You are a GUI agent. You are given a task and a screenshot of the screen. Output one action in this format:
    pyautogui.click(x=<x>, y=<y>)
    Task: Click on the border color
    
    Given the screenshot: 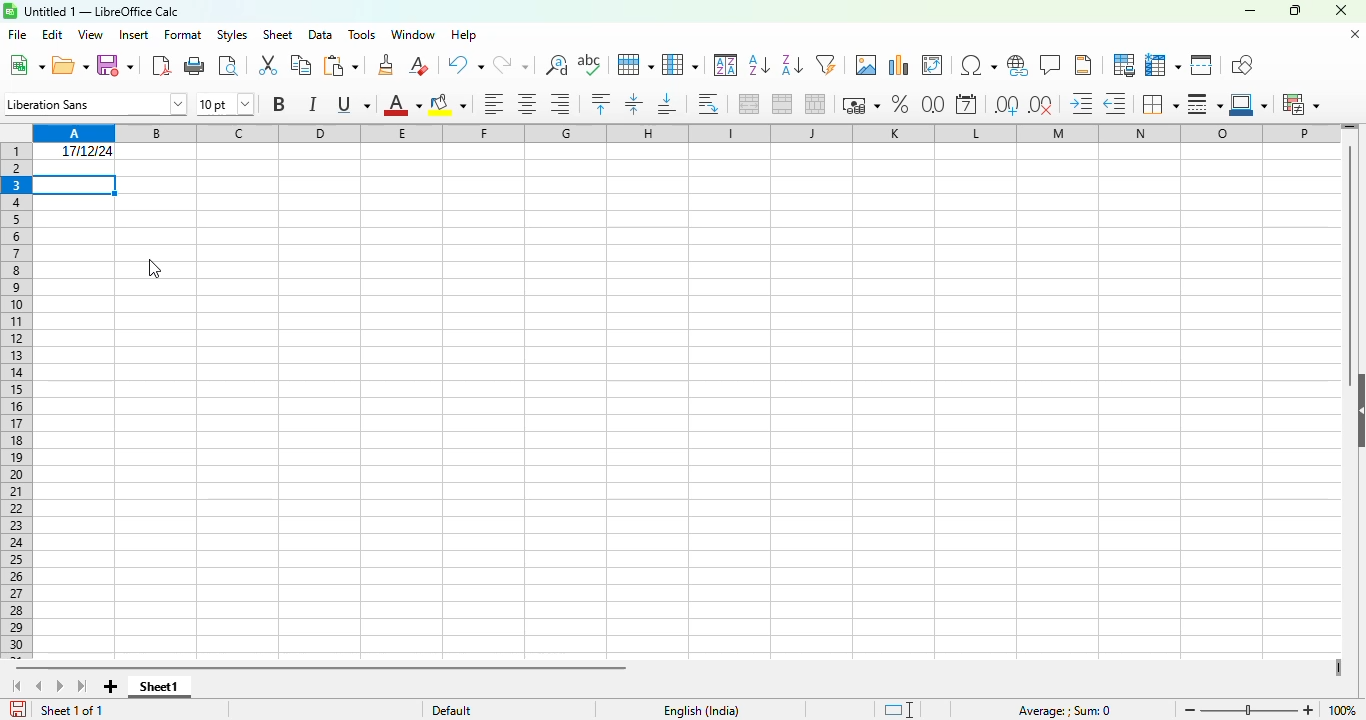 What is the action you would take?
    pyautogui.click(x=1250, y=105)
    